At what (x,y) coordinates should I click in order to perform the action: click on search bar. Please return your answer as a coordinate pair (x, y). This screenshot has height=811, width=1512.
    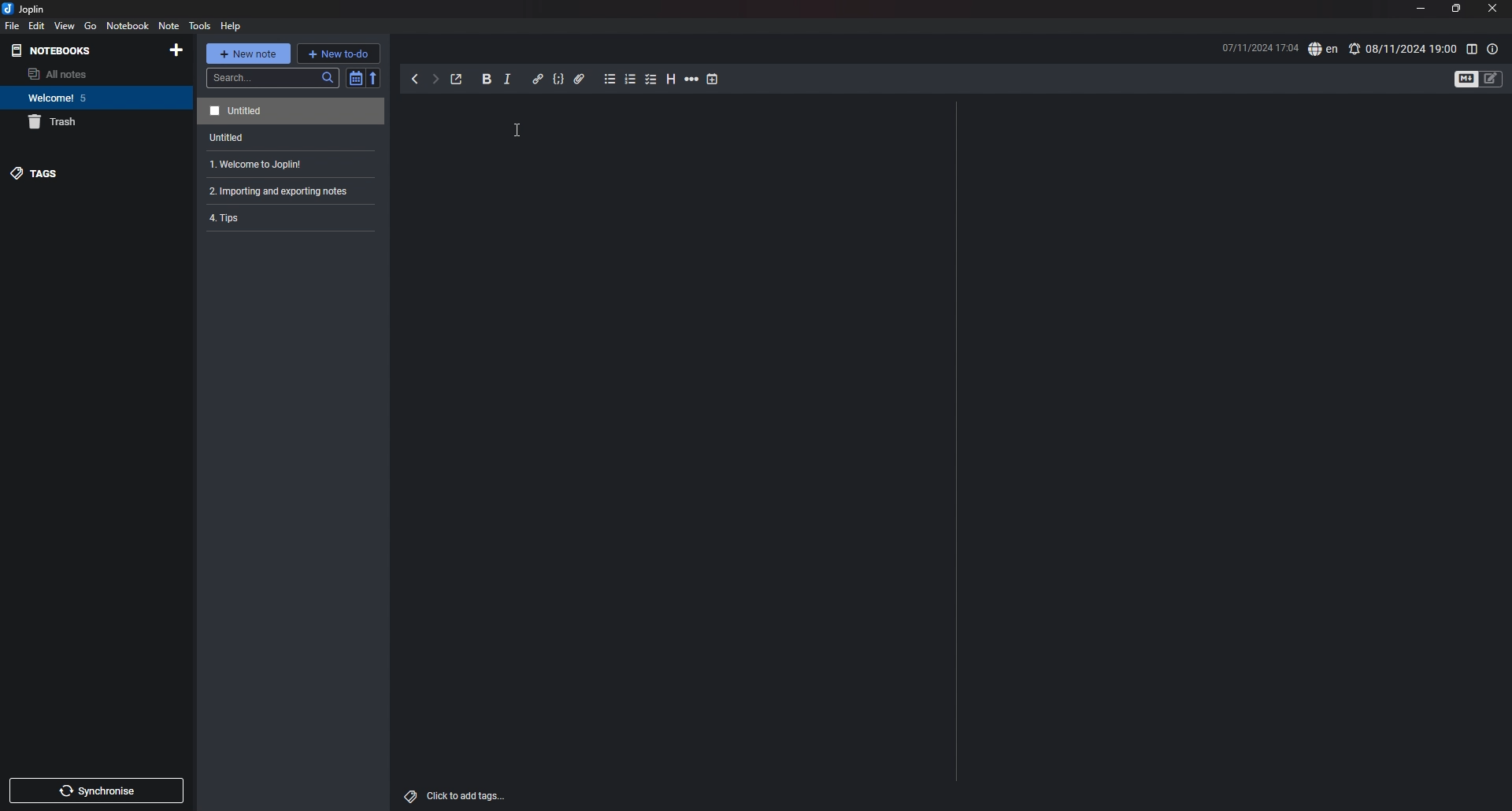
    Looking at the image, I should click on (272, 78).